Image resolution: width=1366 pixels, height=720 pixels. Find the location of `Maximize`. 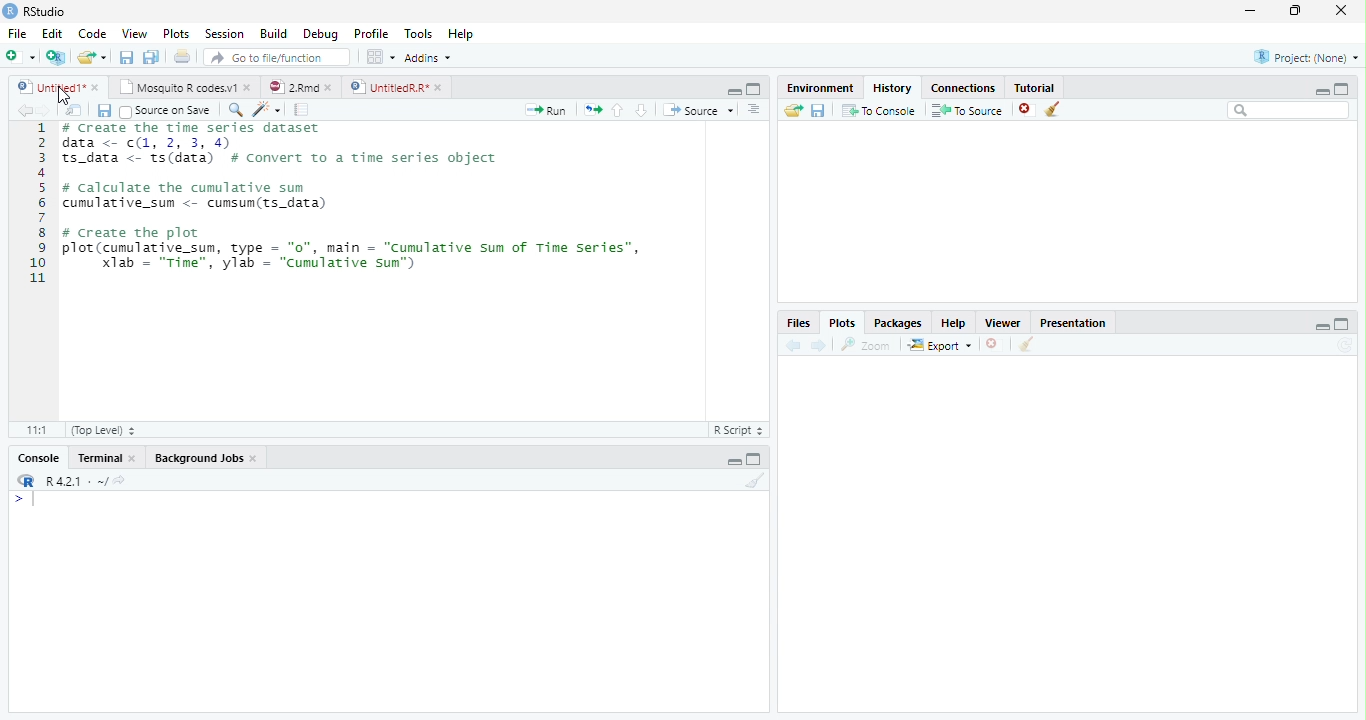

Maximize is located at coordinates (756, 460).